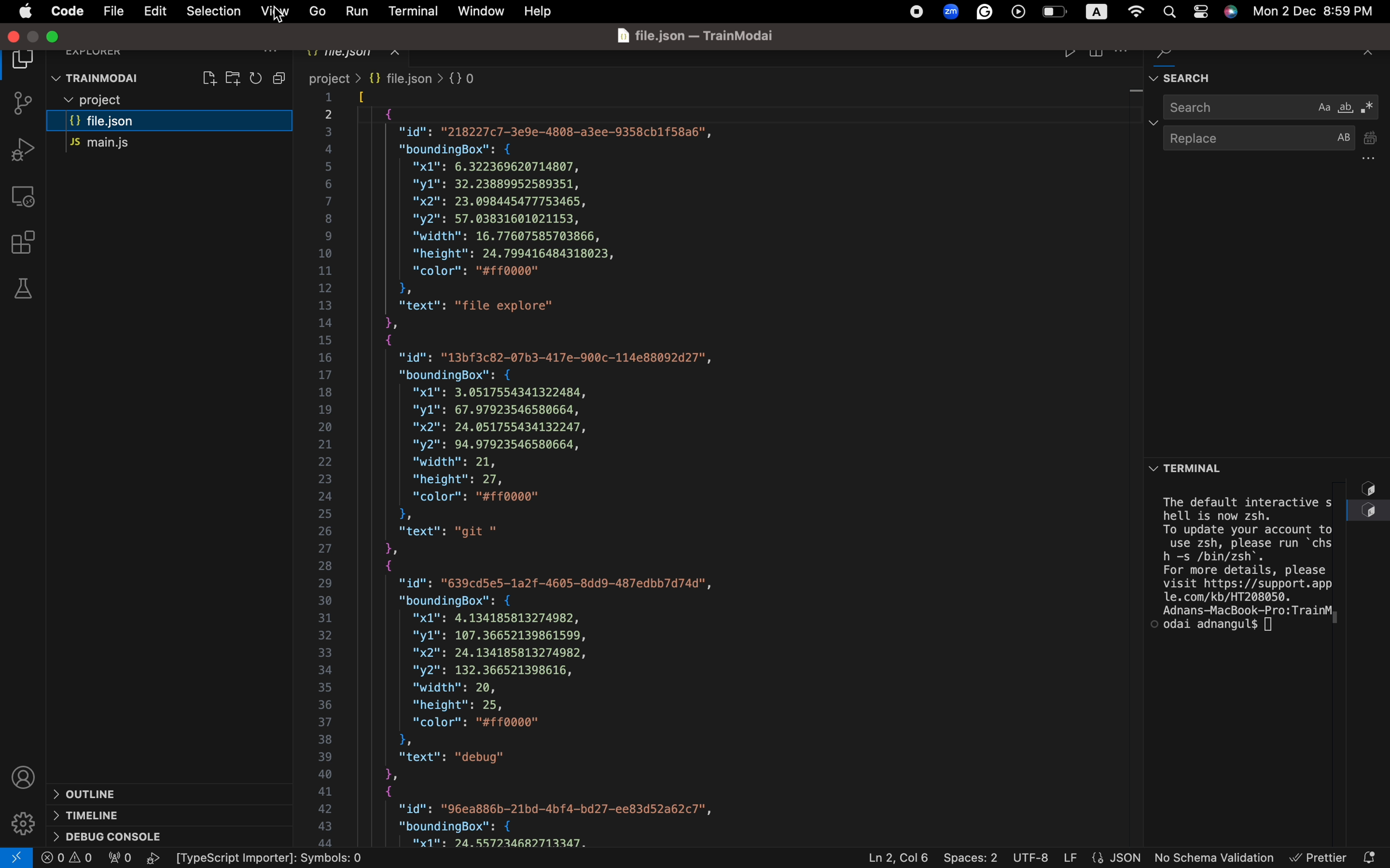  What do you see at coordinates (401, 78) in the screenshot?
I see `Breadcrumb` at bounding box center [401, 78].